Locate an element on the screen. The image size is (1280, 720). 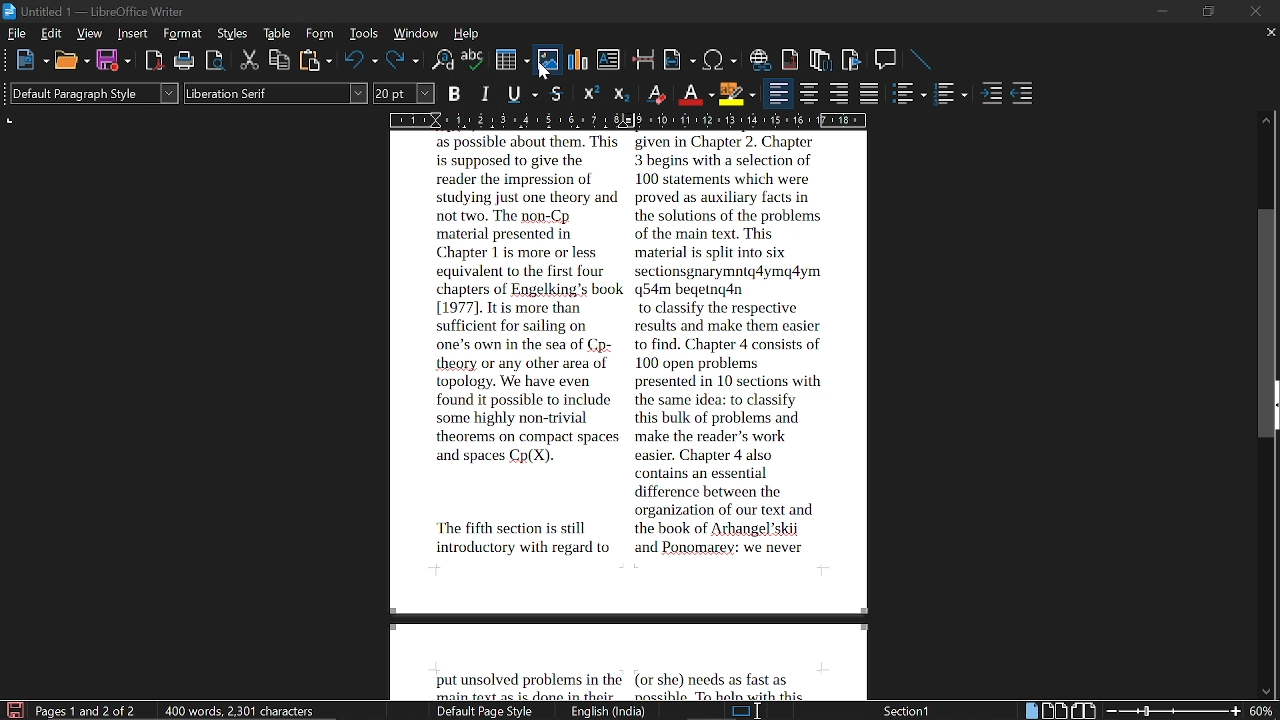
insert line is located at coordinates (923, 60).